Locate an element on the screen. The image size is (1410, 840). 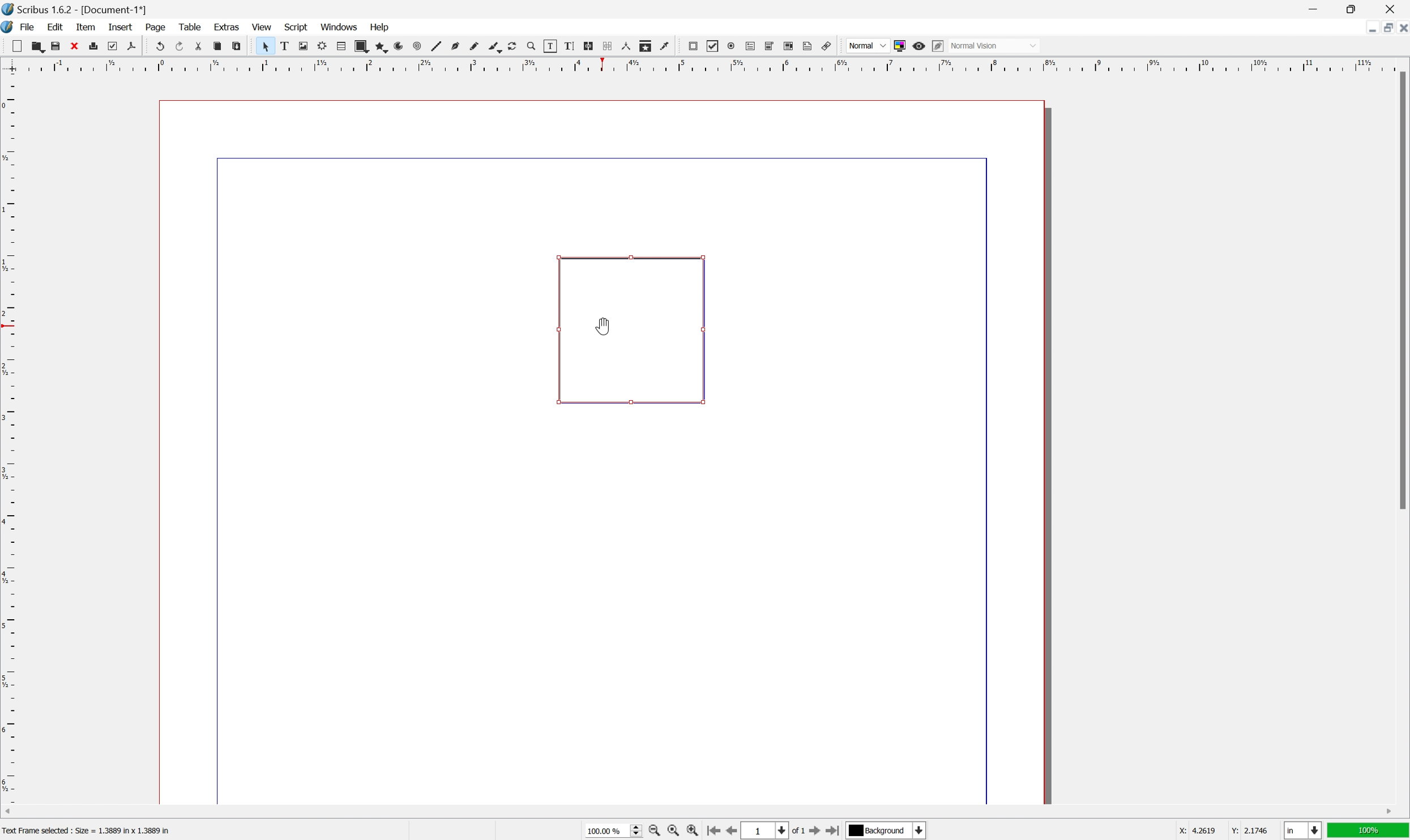
File is located at coordinates (28, 27).